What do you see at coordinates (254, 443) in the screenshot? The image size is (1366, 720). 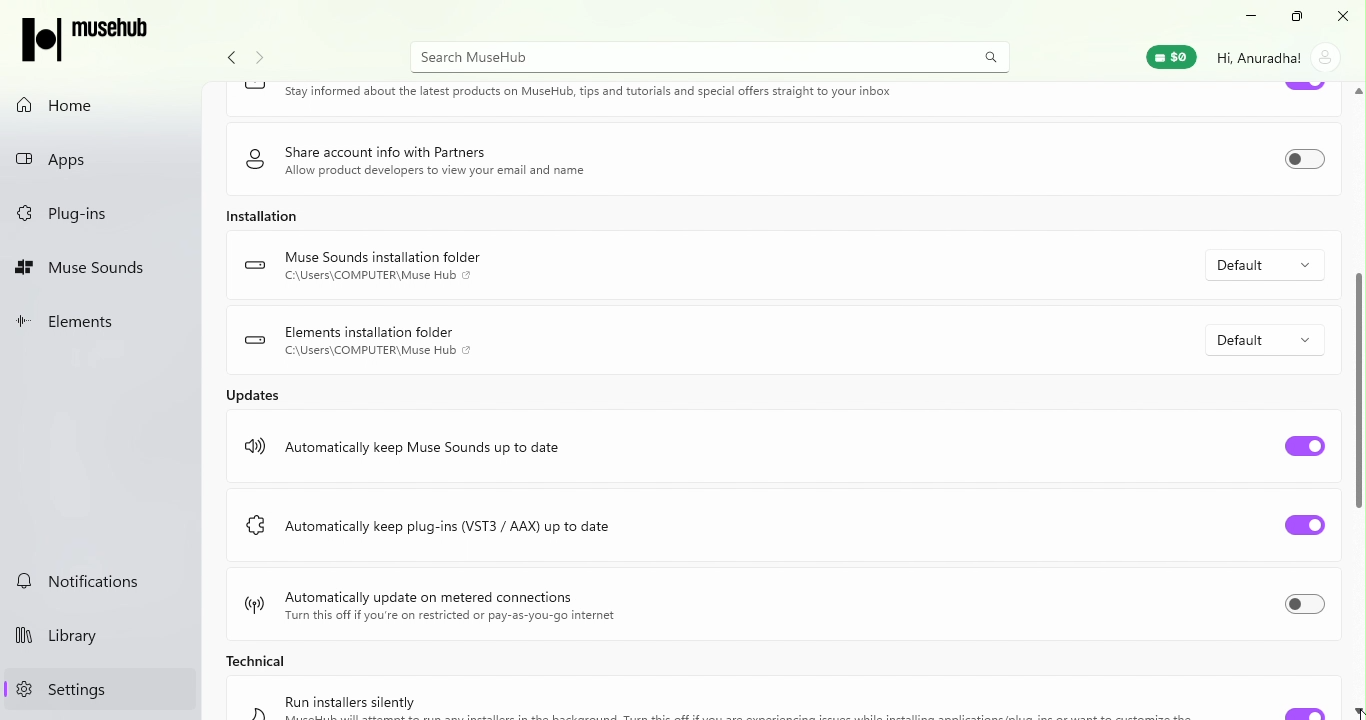 I see `logo` at bounding box center [254, 443].